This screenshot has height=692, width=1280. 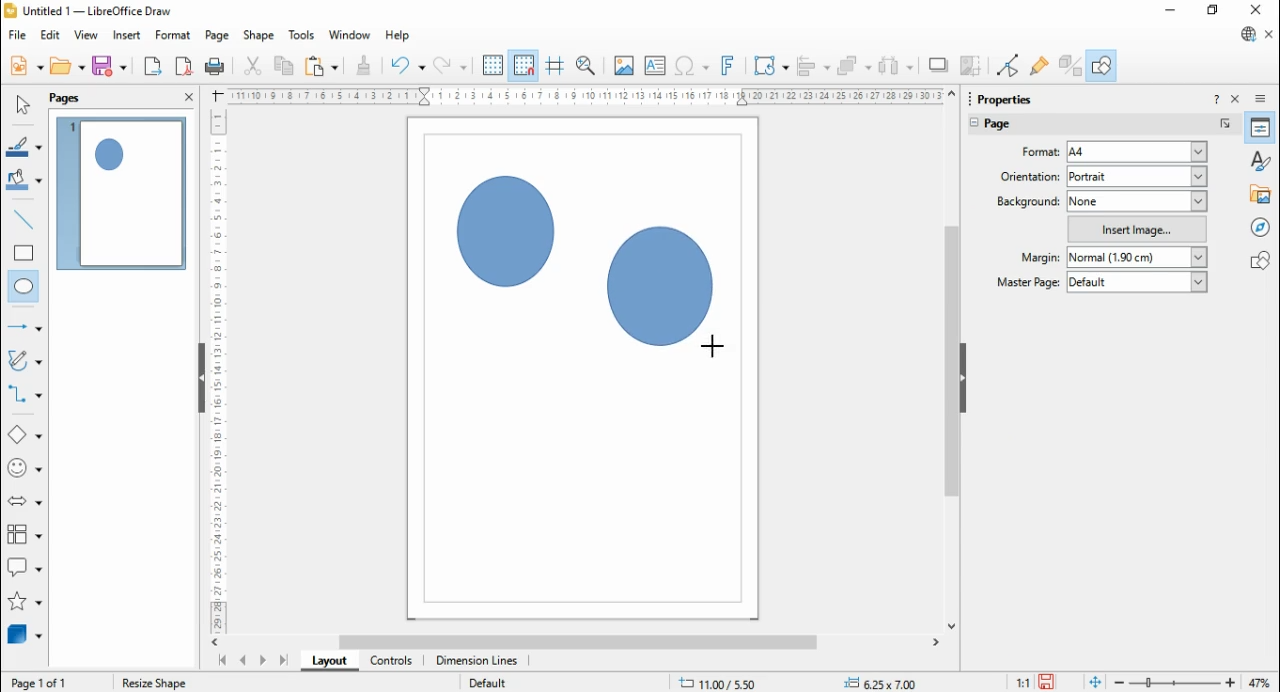 What do you see at coordinates (25, 538) in the screenshot?
I see `flowchart` at bounding box center [25, 538].